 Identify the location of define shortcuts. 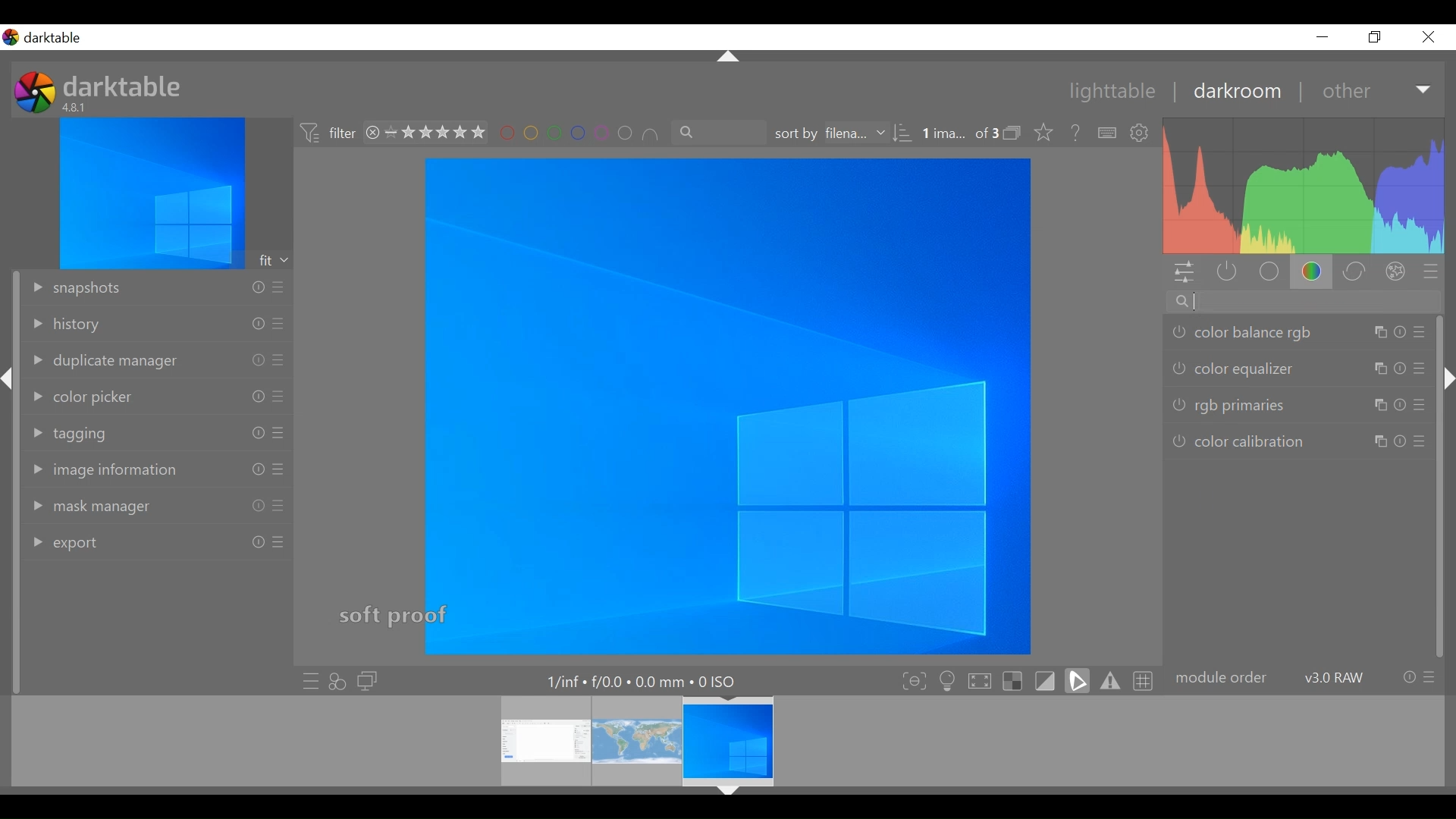
(1109, 133).